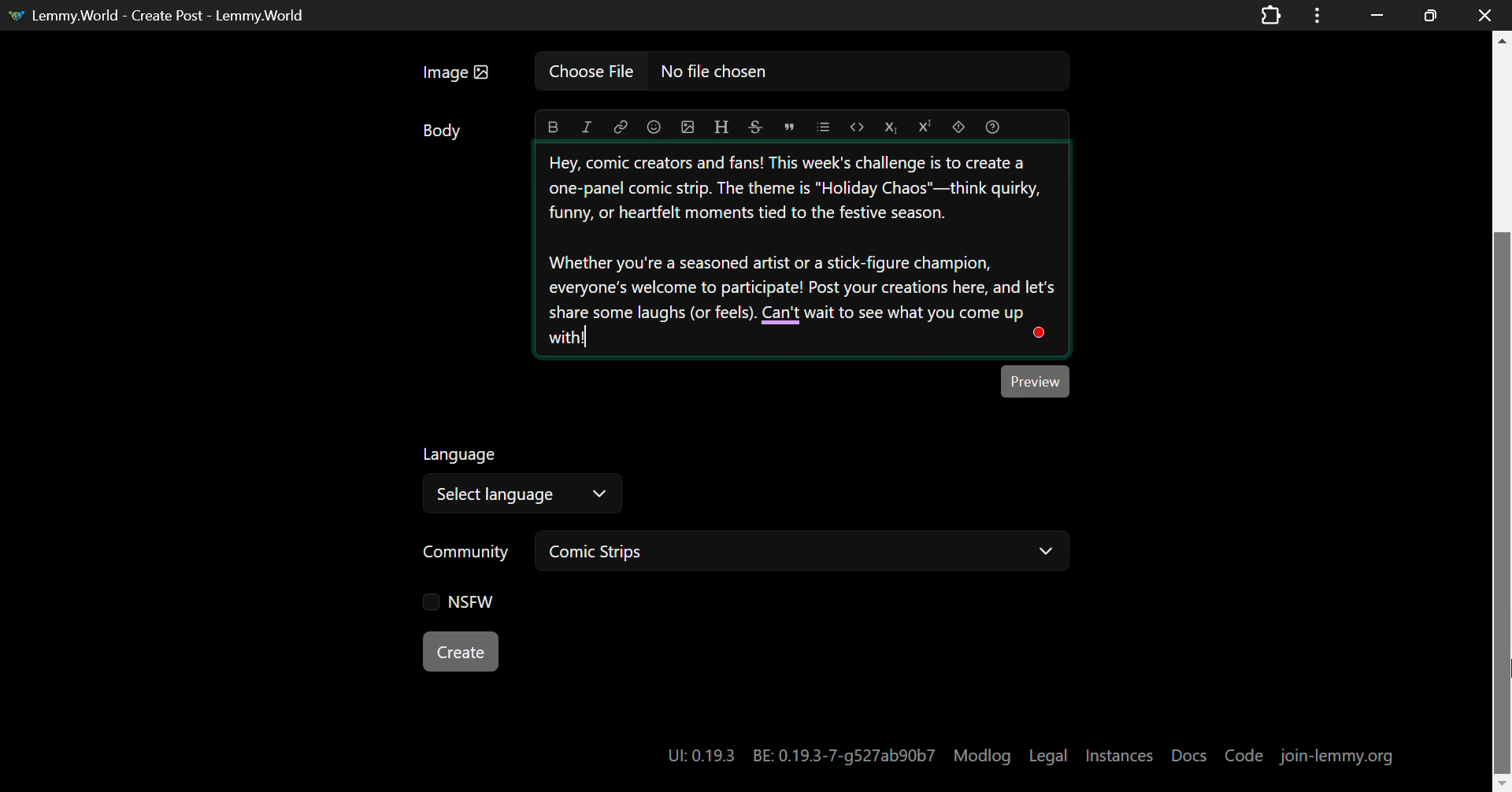  I want to click on Preview, so click(1036, 381).